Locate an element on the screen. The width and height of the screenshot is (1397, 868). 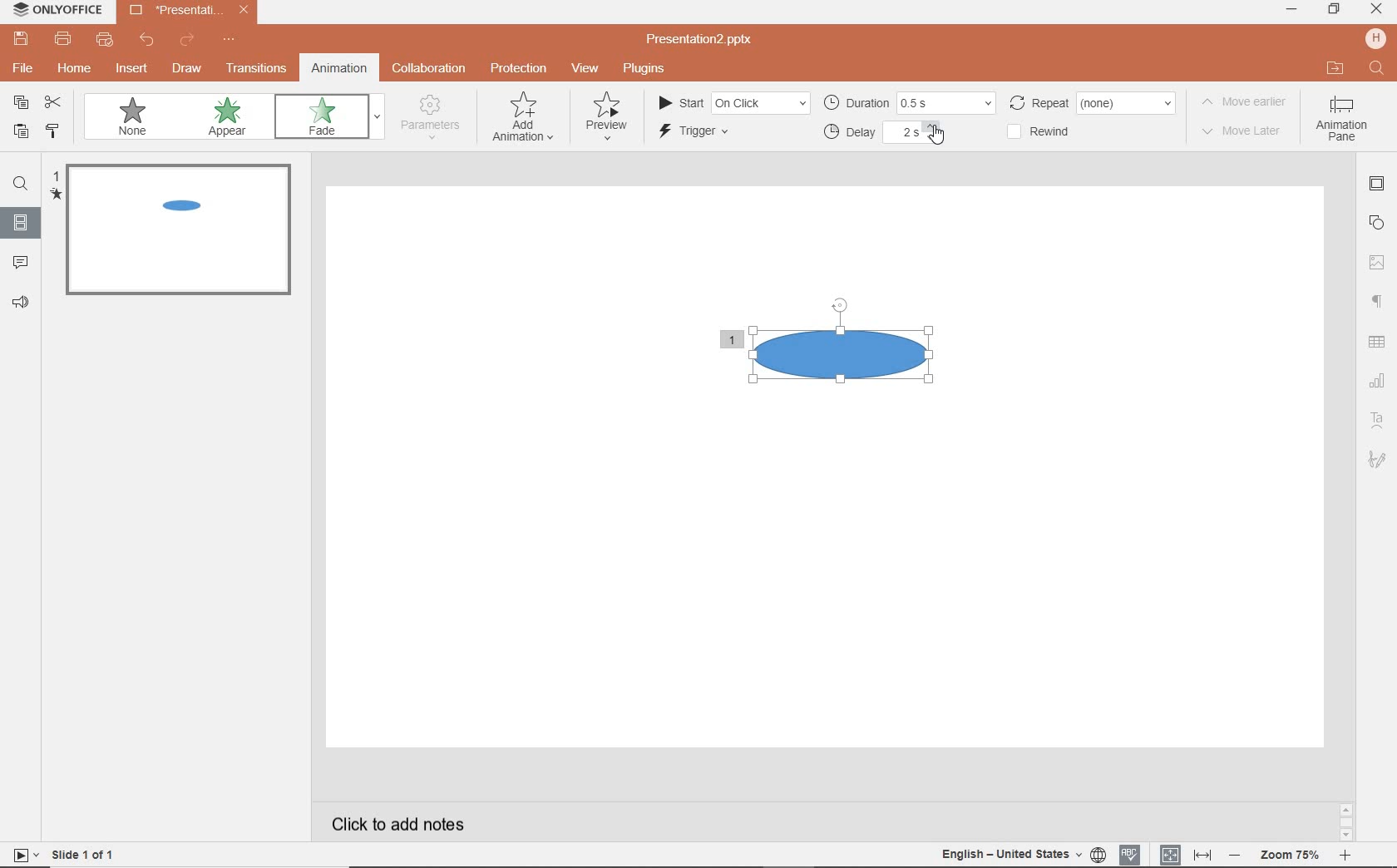
home is located at coordinates (77, 68).